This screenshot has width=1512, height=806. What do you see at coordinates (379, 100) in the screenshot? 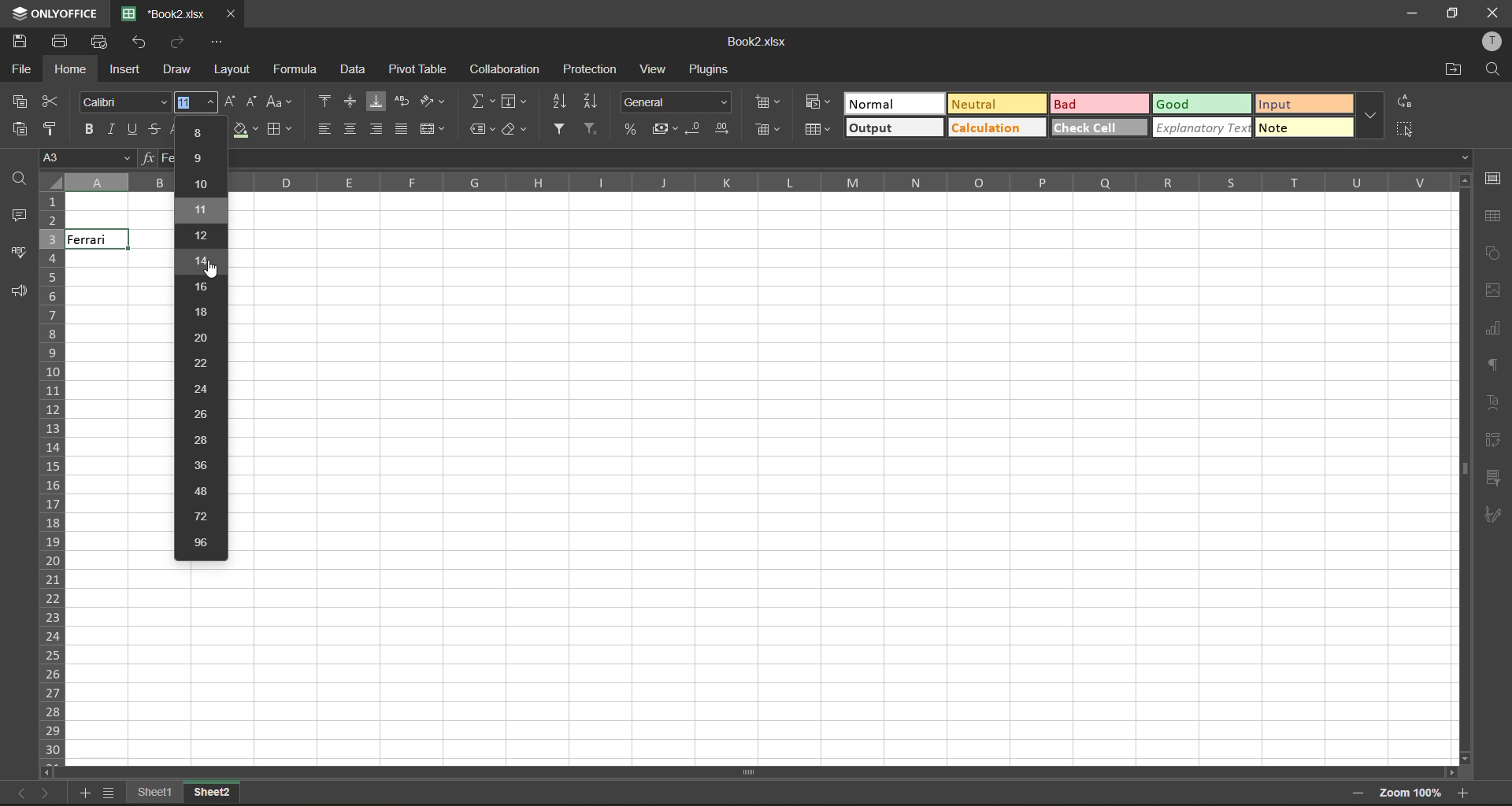
I see `align bottom` at bounding box center [379, 100].